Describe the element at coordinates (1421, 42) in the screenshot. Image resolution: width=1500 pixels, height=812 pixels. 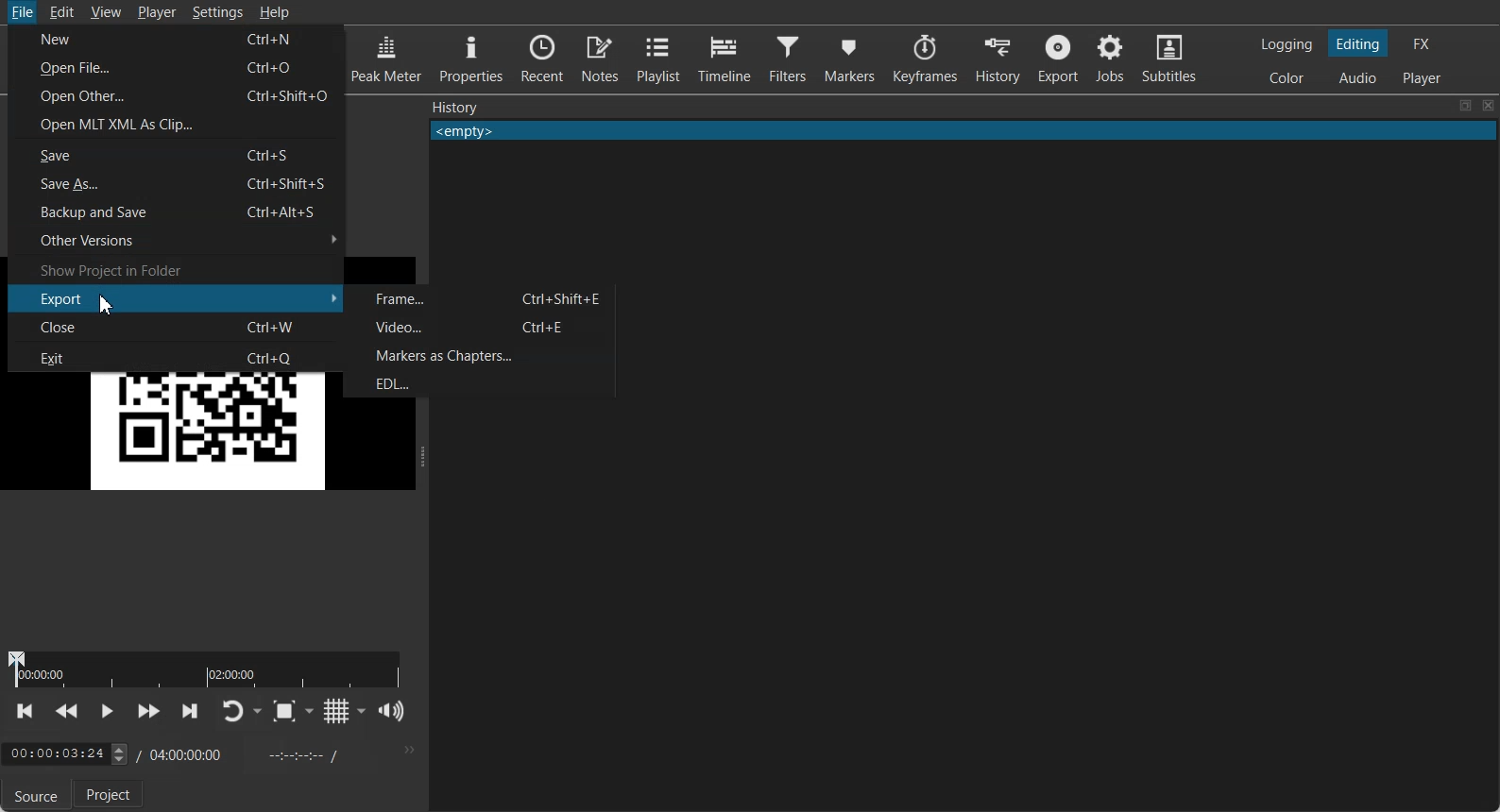
I see `Switching to the Effect Layout` at that location.